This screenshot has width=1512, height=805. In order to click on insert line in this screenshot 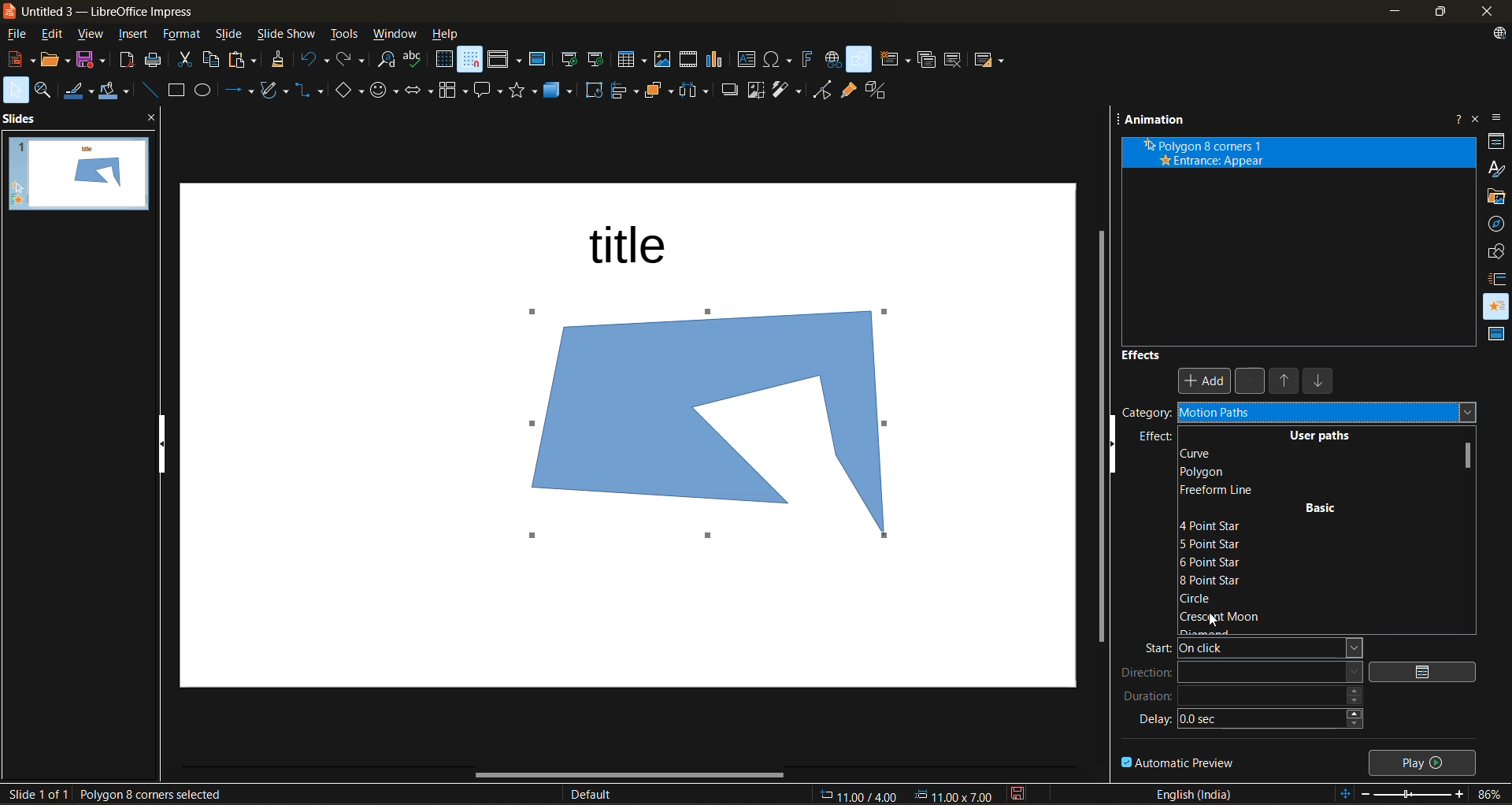, I will do `click(150, 89)`.